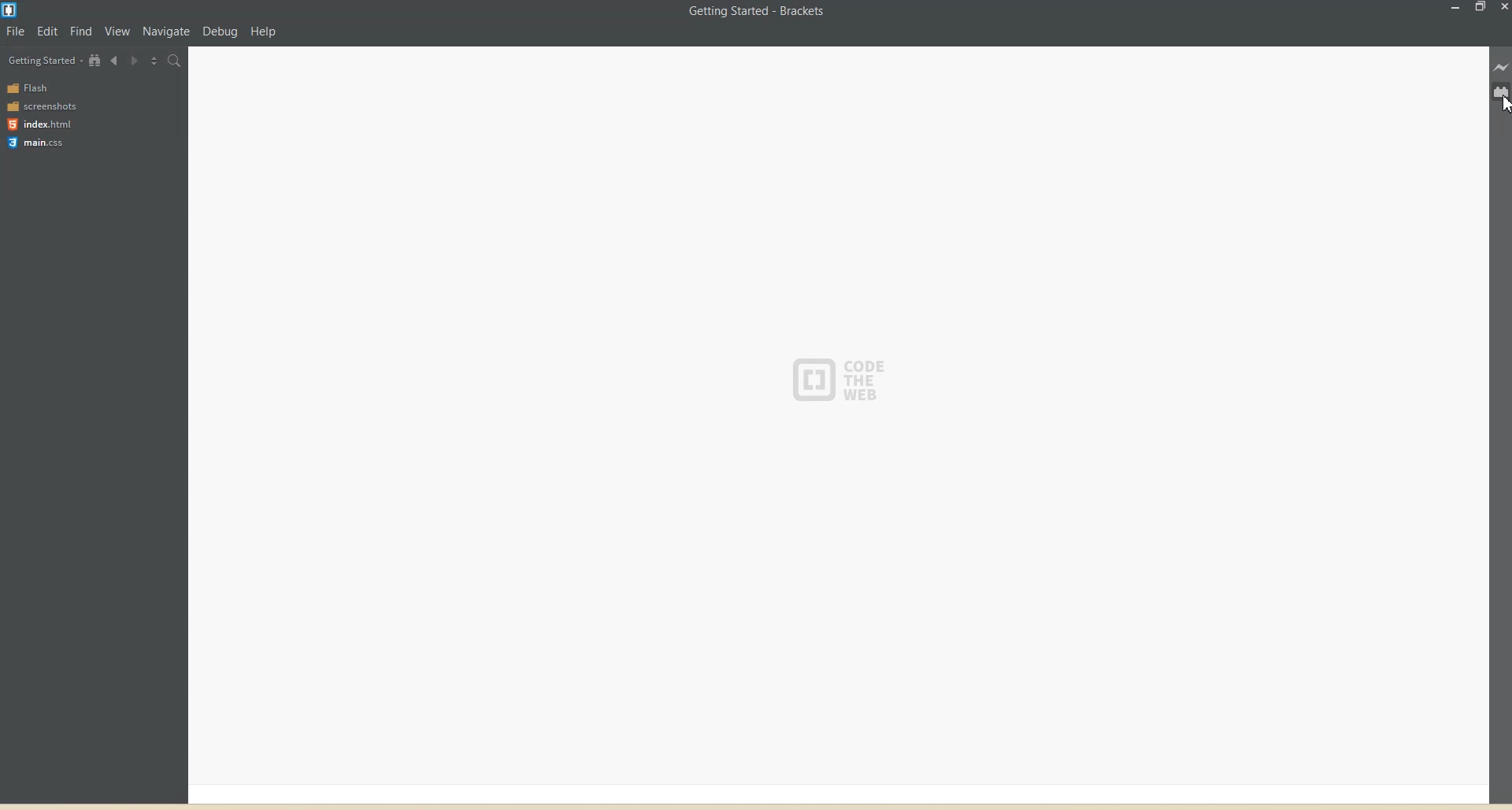 The width and height of the screenshot is (1512, 810). Describe the element at coordinates (175, 61) in the screenshot. I see `Find in files` at that location.